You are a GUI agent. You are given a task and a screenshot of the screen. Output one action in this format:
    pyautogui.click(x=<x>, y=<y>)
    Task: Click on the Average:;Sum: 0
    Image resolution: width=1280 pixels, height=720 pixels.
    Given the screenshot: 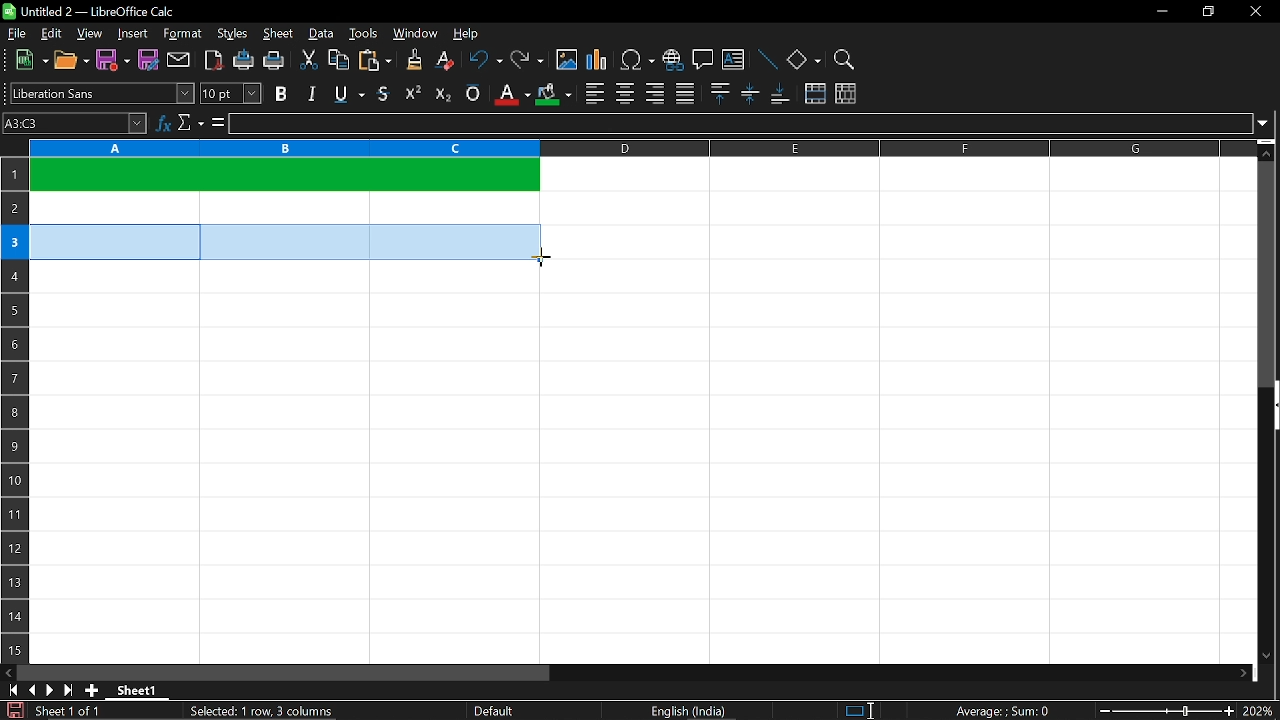 What is the action you would take?
    pyautogui.click(x=1002, y=710)
    